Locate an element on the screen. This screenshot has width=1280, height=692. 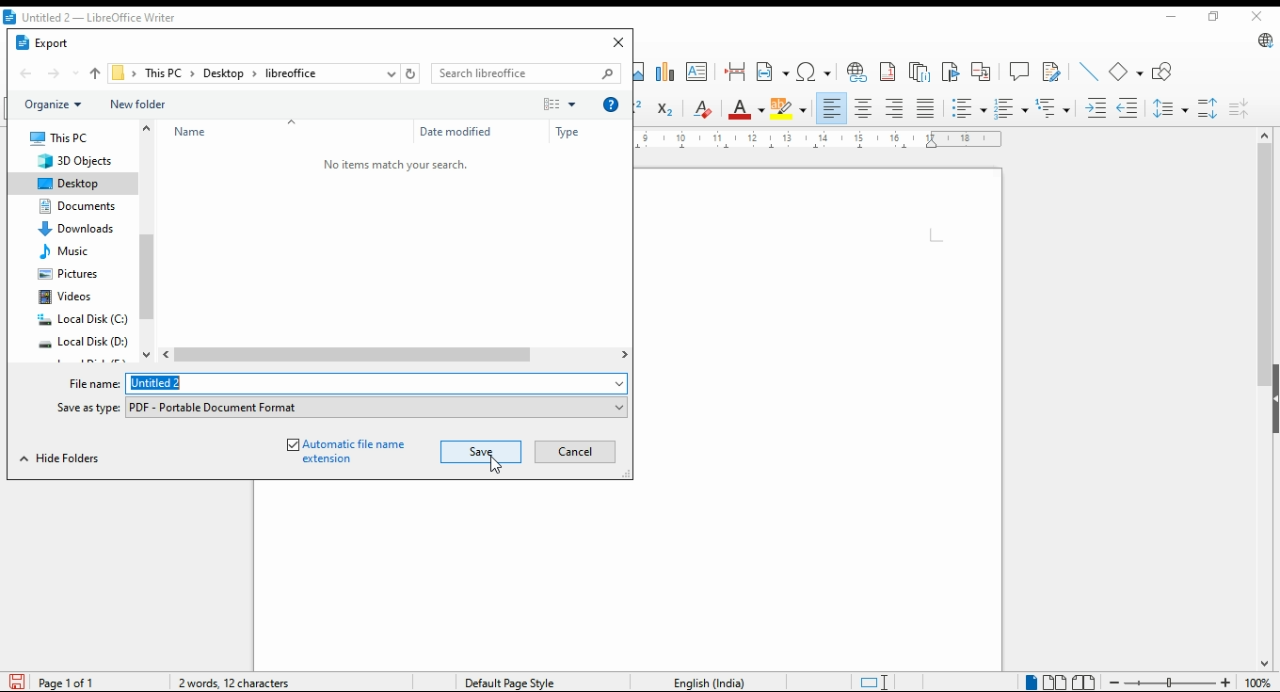
this pc is located at coordinates (60, 136).